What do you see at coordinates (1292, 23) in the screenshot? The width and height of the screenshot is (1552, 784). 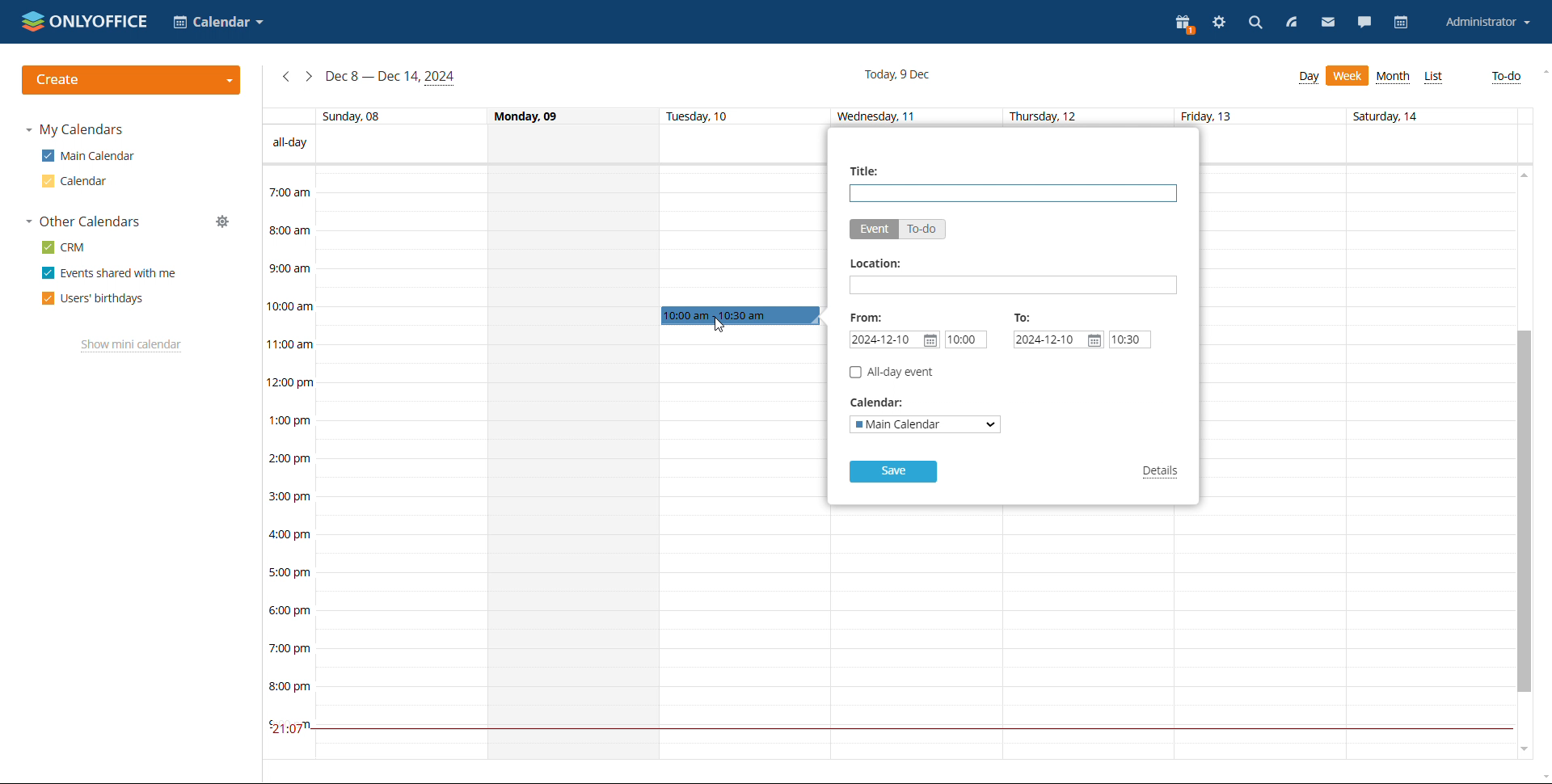 I see `feed` at bounding box center [1292, 23].